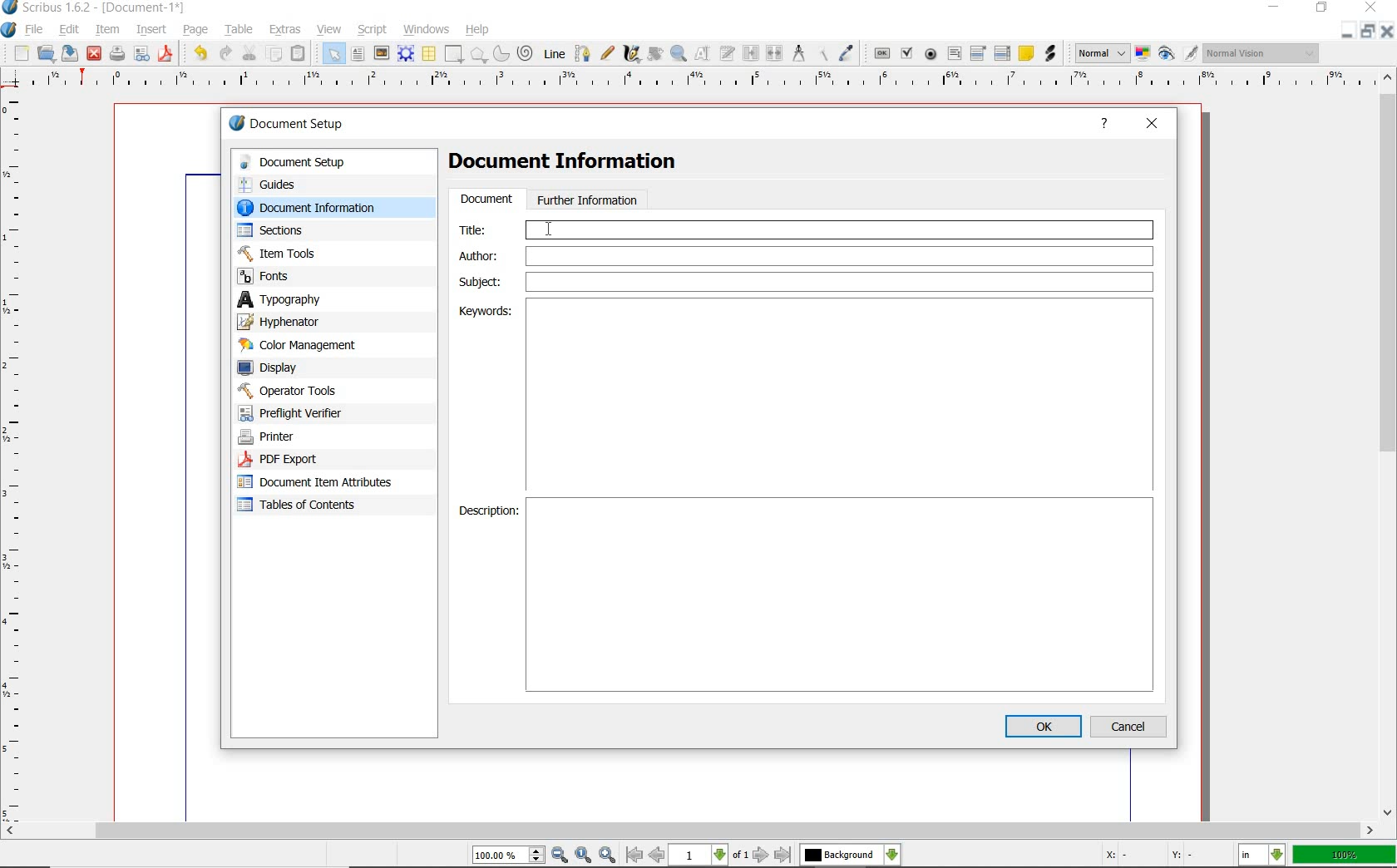  Describe the element at coordinates (427, 30) in the screenshot. I see `windows` at that location.